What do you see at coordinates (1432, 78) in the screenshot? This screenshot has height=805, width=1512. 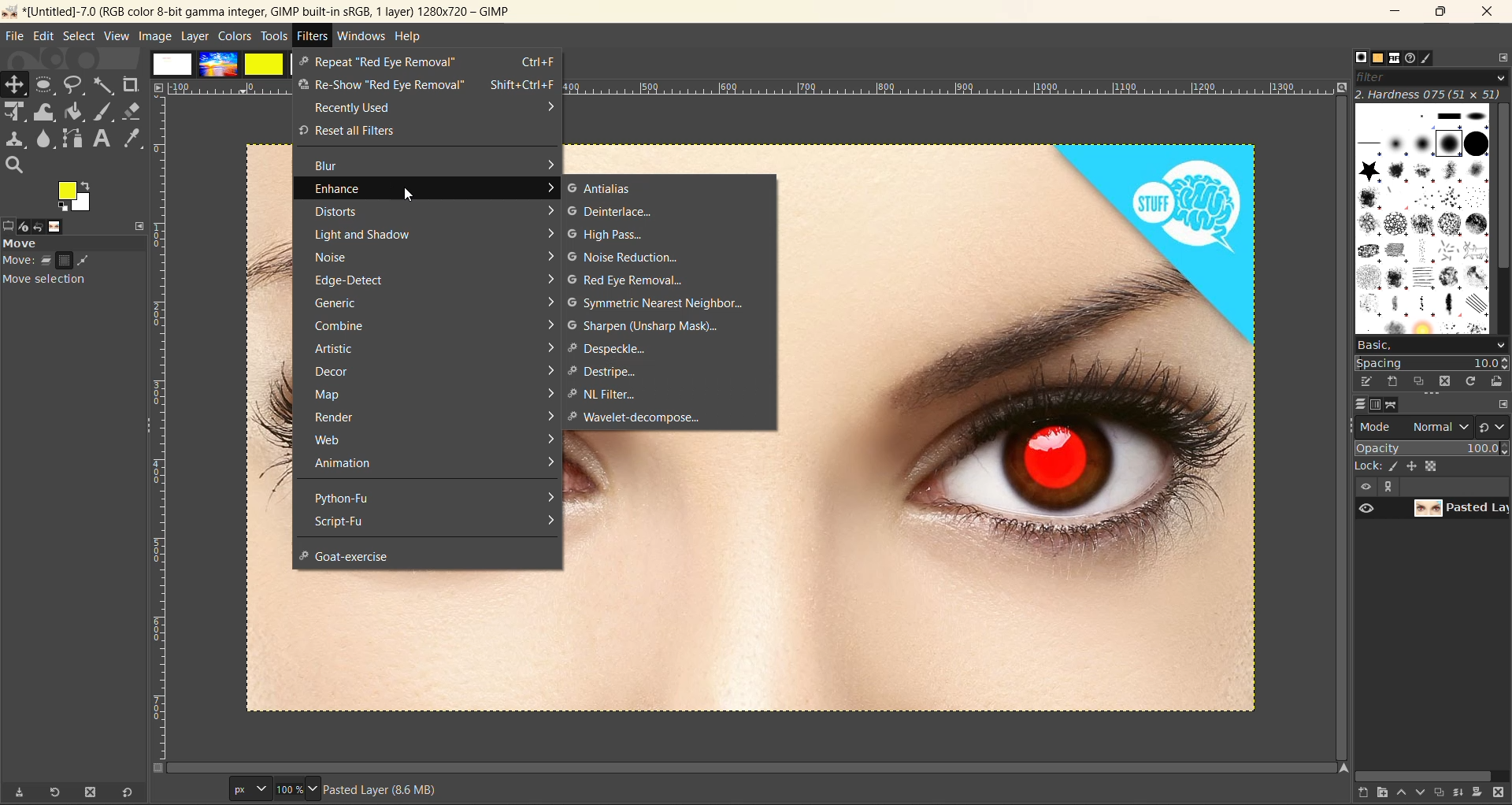 I see `filter` at bounding box center [1432, 78].